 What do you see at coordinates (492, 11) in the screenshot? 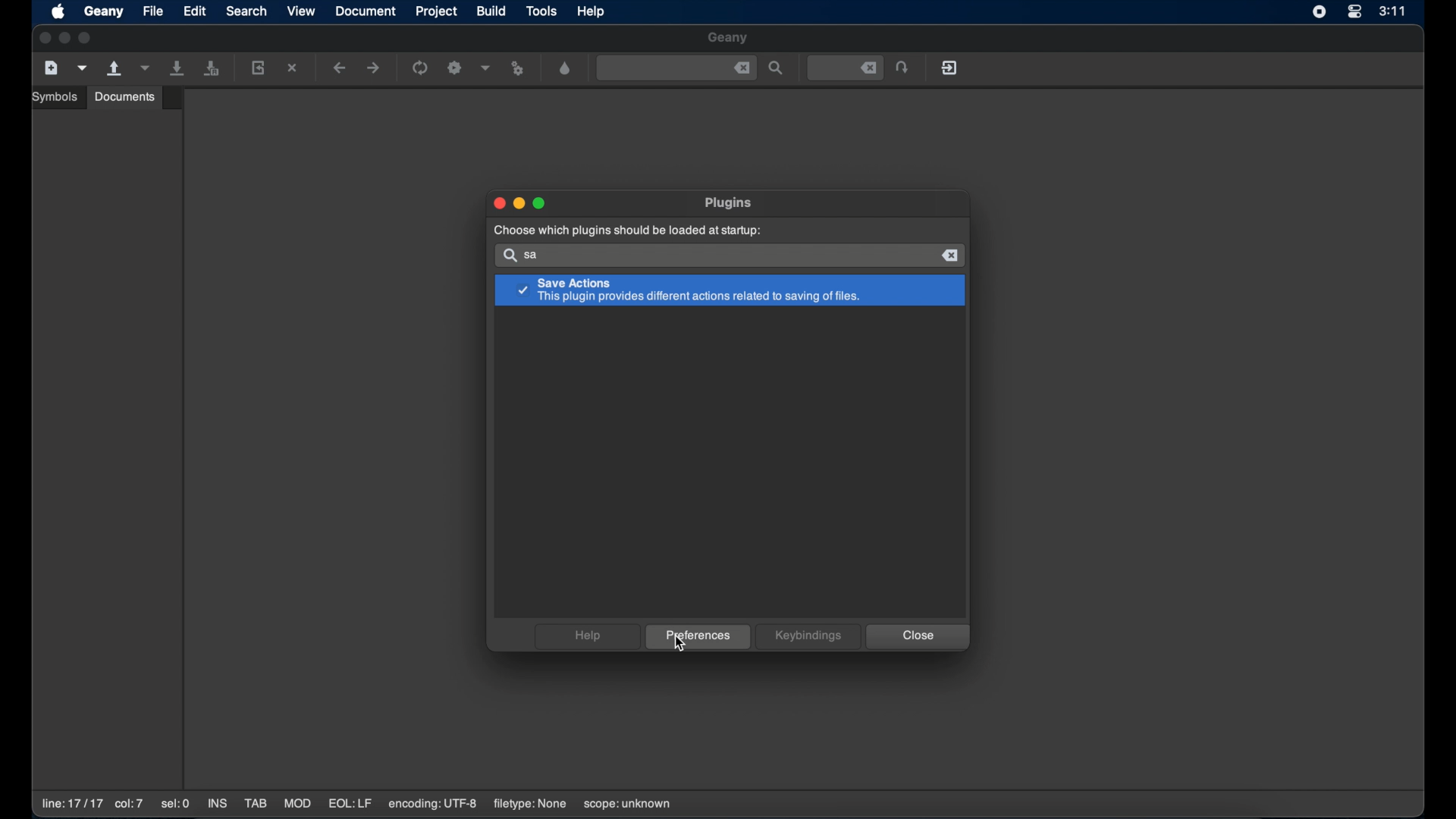
I see `build` at bounding box center [492, 11].